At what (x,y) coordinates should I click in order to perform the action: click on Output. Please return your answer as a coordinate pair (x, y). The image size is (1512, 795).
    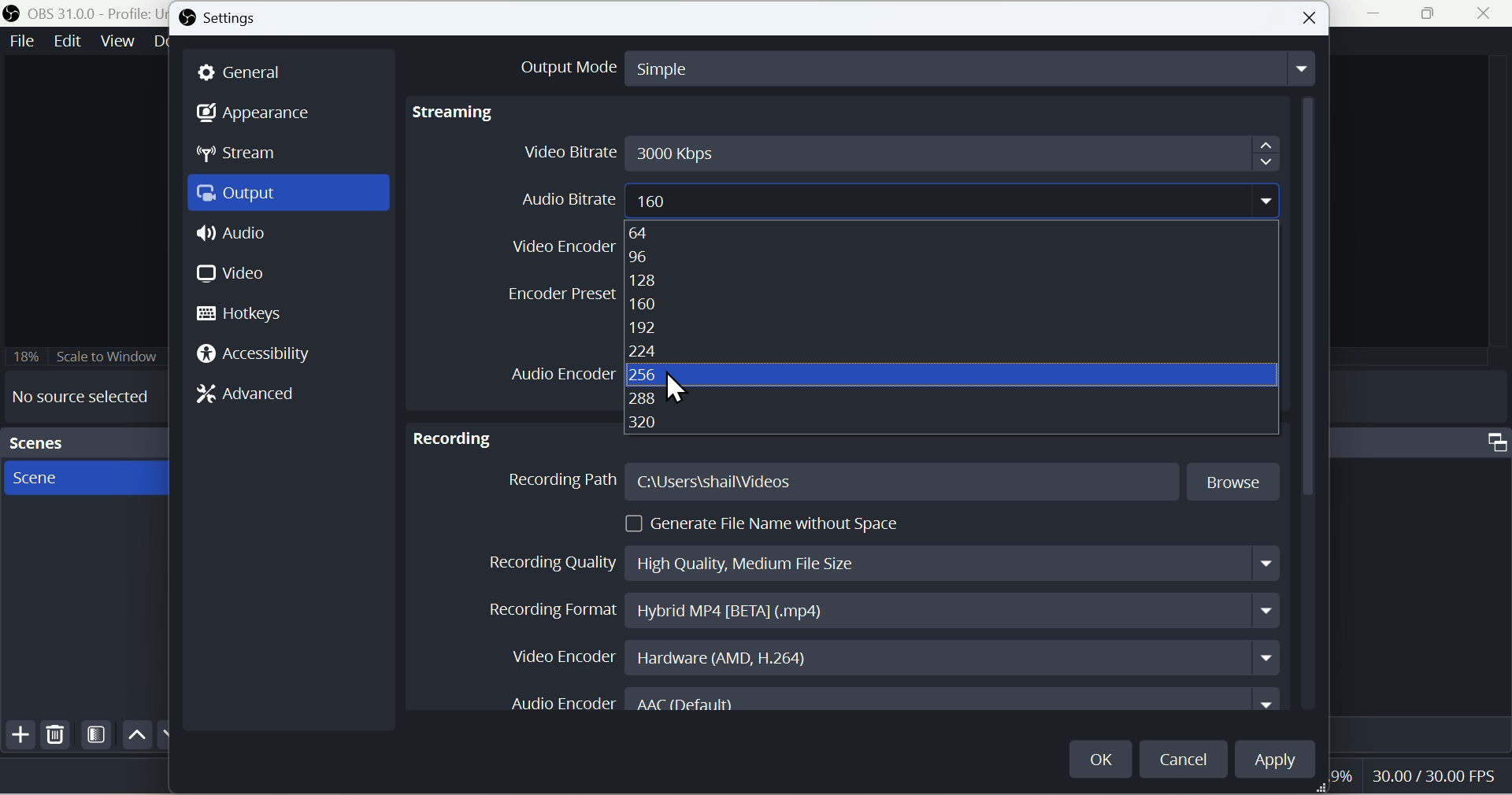
    Looking at the image, I should click on (293, 197).